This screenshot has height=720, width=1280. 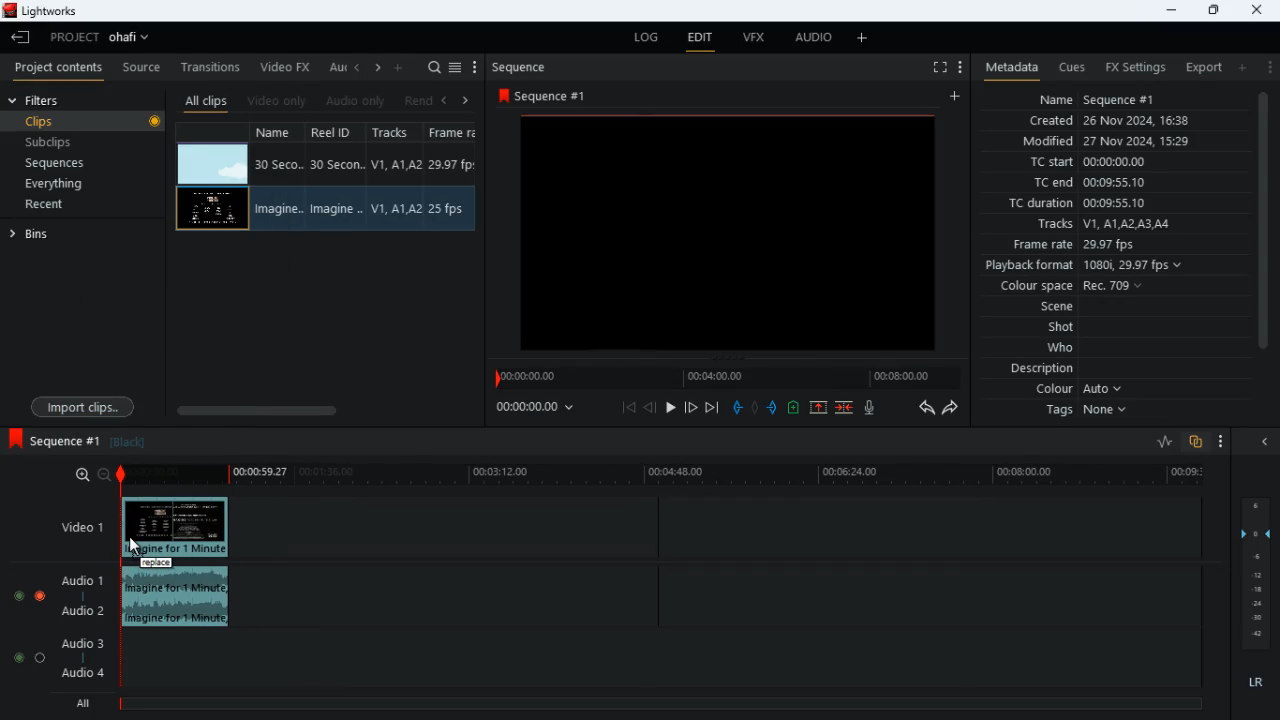 What do you see at coordinates (336, 67) in the screenshot?
I see `au` at bounding box center [336, 67].